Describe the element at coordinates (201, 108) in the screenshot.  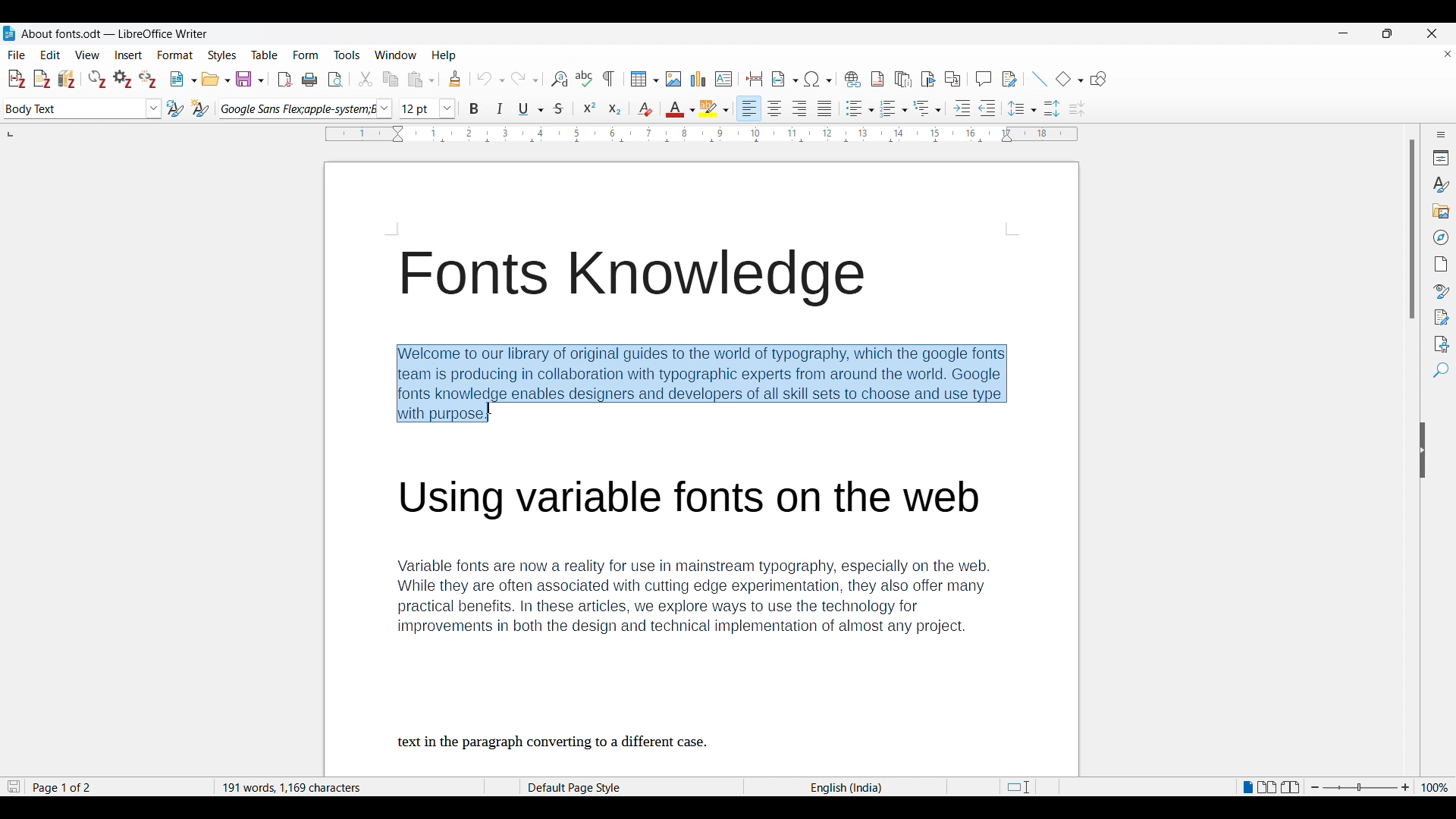
I see `New style from selection` at that location.